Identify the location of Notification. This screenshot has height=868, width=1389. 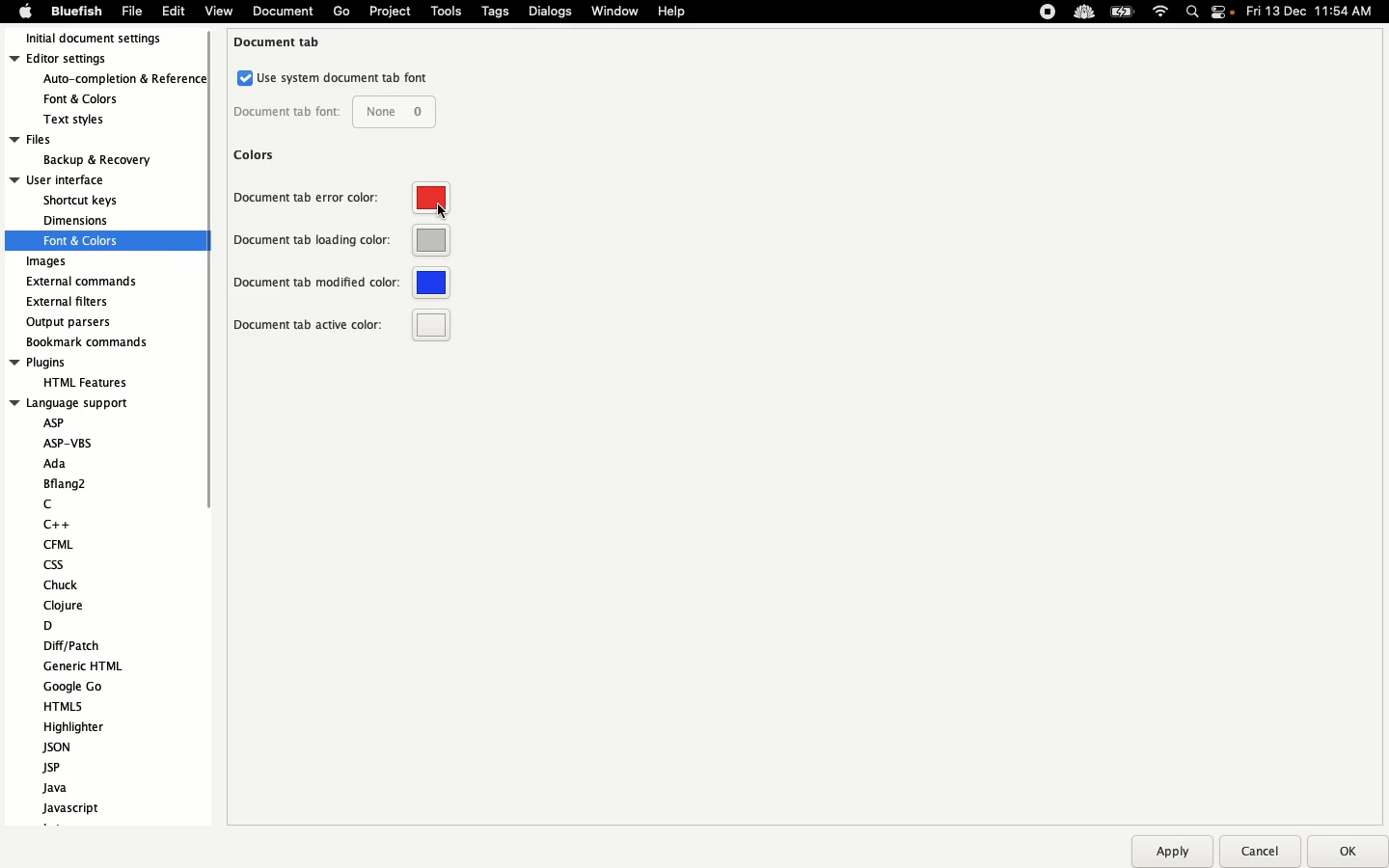
(1224, 14).